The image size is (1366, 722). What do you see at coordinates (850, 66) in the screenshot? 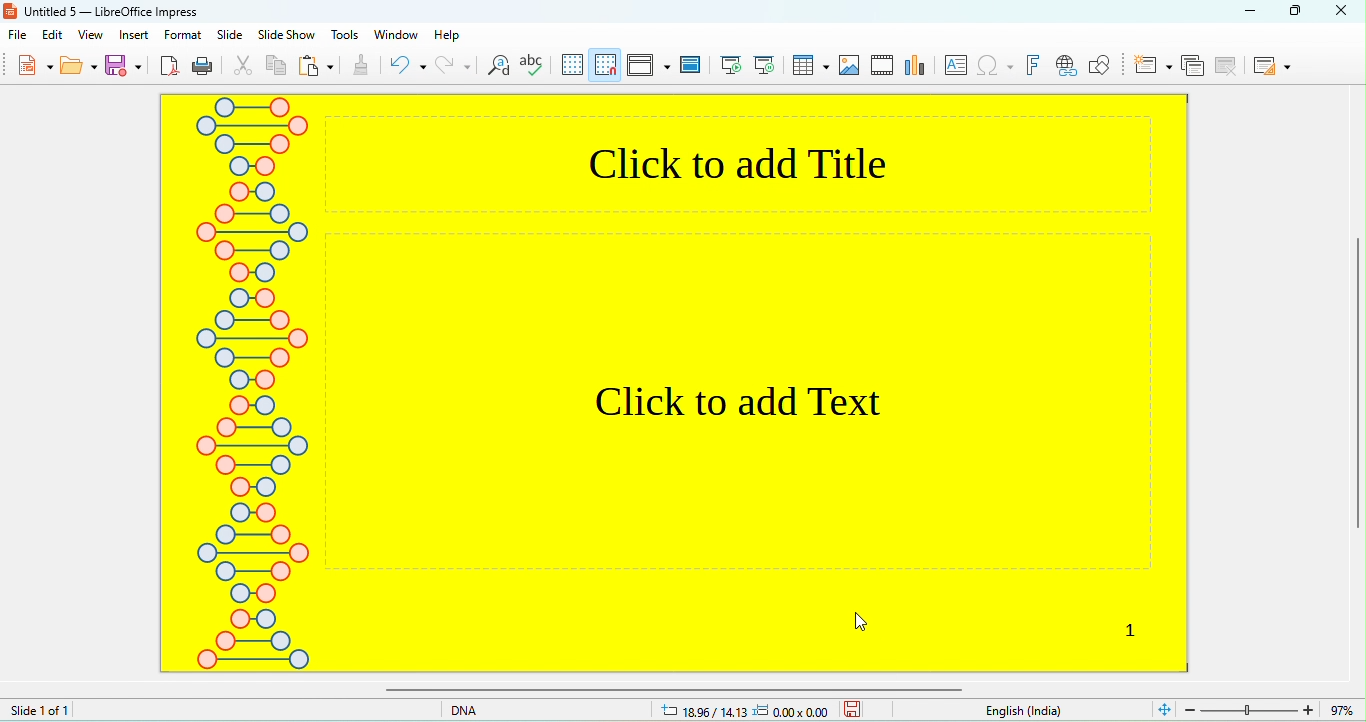
I see `chart` at bounding box center [850, 66].